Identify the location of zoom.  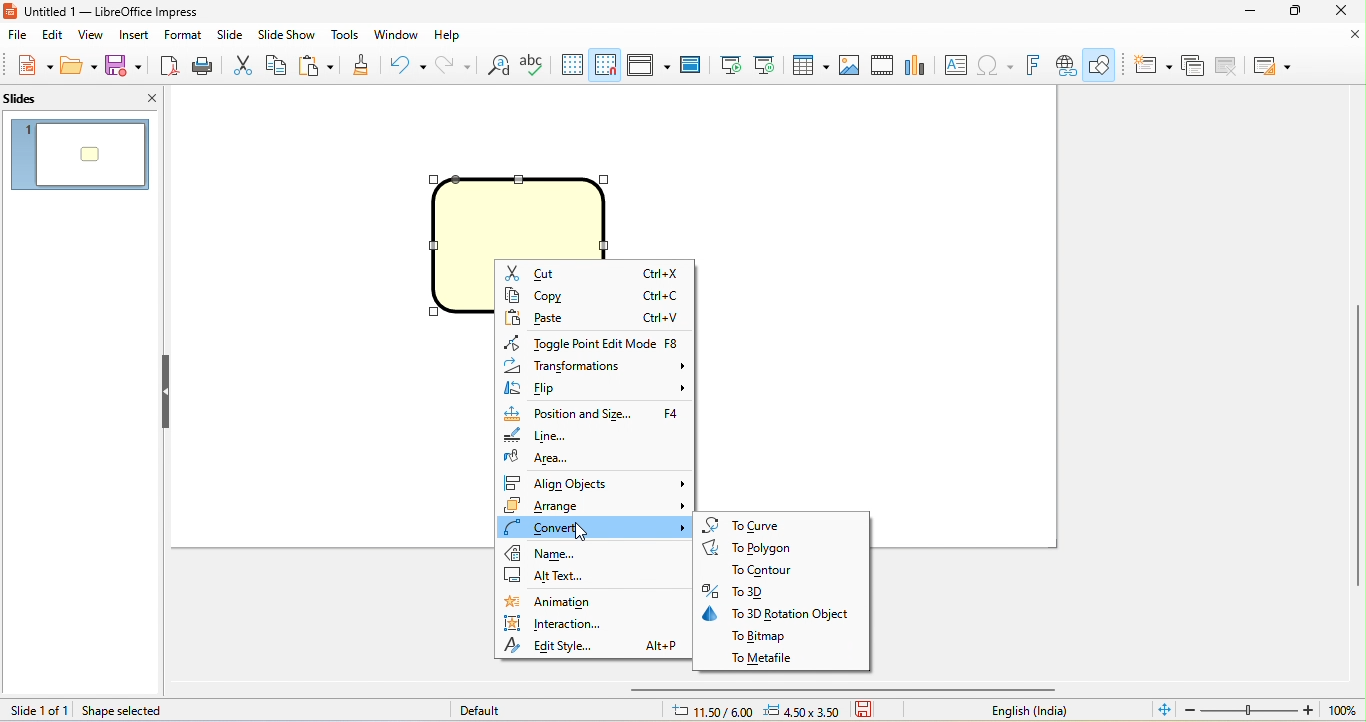
(1272, 710).